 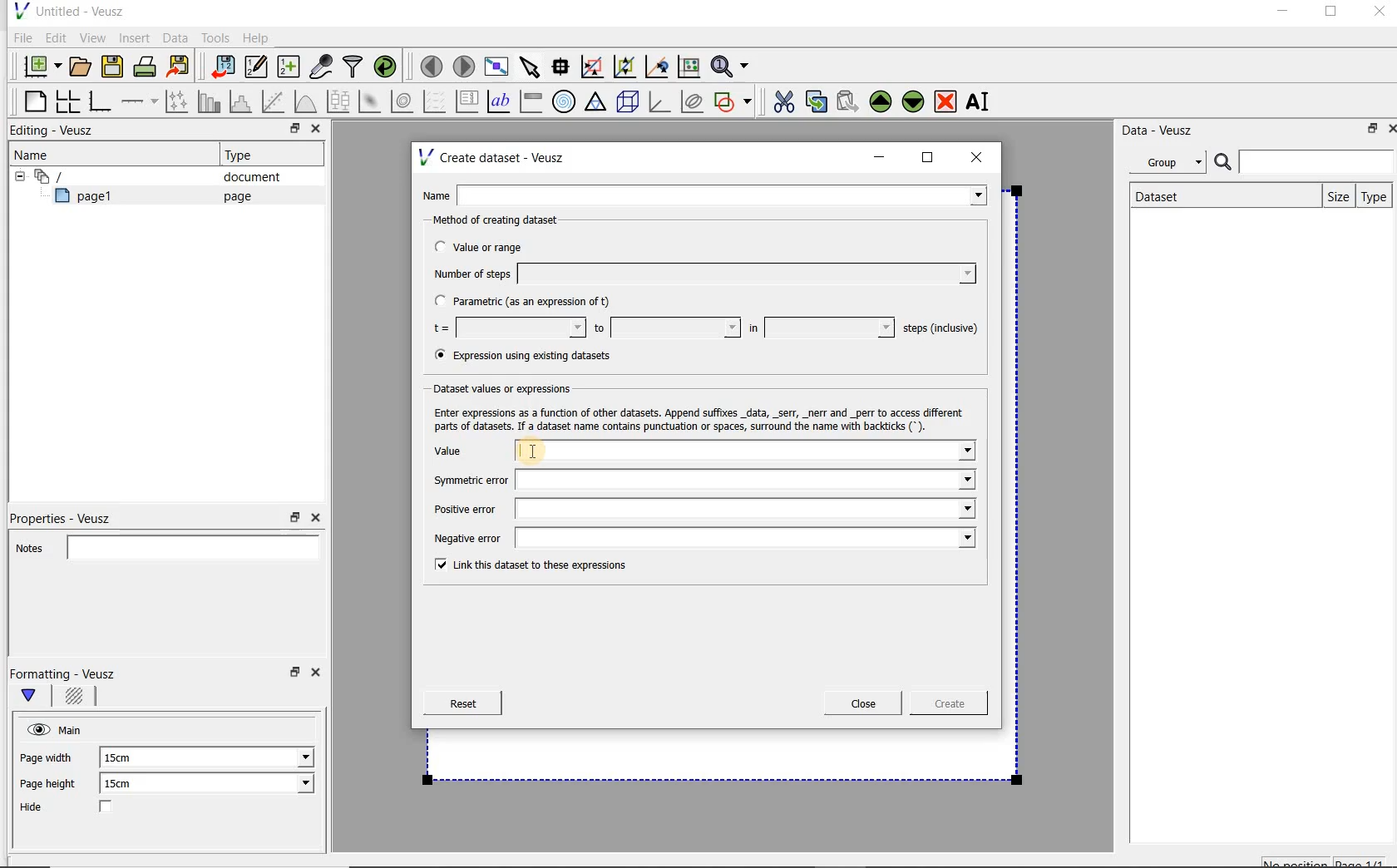 I want to click on move to the previous page, so click(x=432, y=64).